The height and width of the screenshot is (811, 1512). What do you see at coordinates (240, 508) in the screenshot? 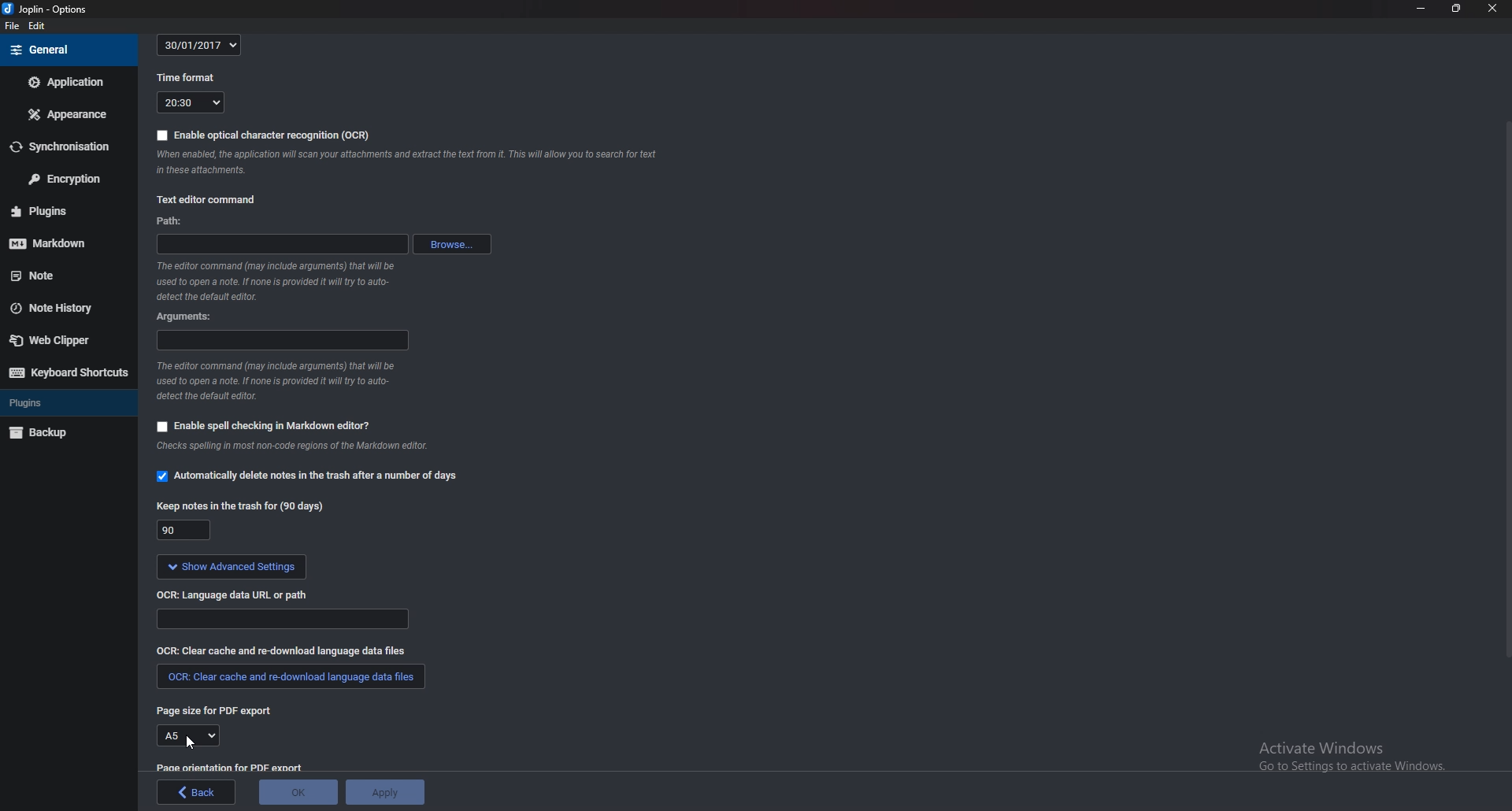
I see `Keep notes in the trash for` at bounding box center [240, 508].